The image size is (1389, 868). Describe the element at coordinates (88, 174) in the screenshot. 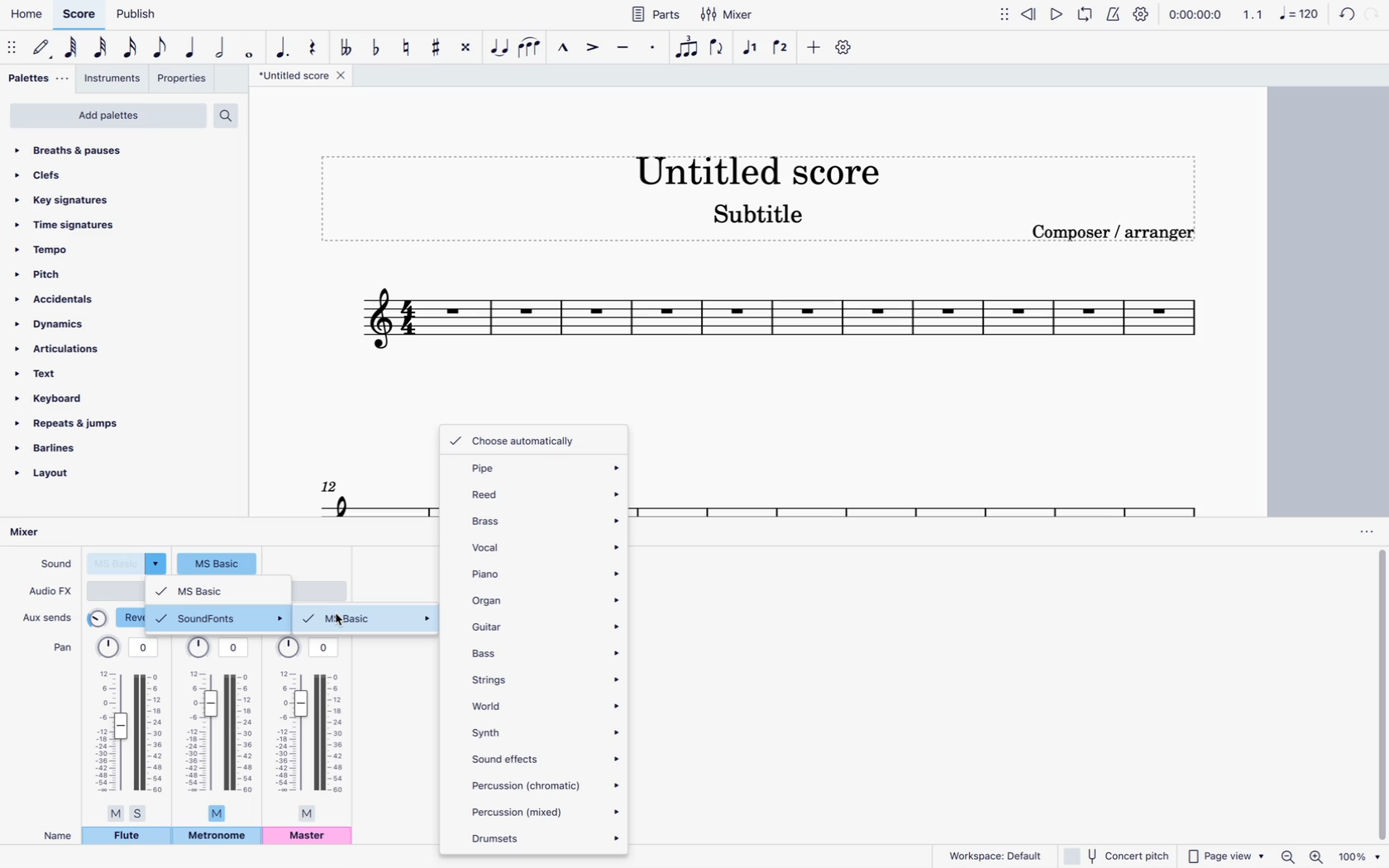

I see `clefs` at that location.